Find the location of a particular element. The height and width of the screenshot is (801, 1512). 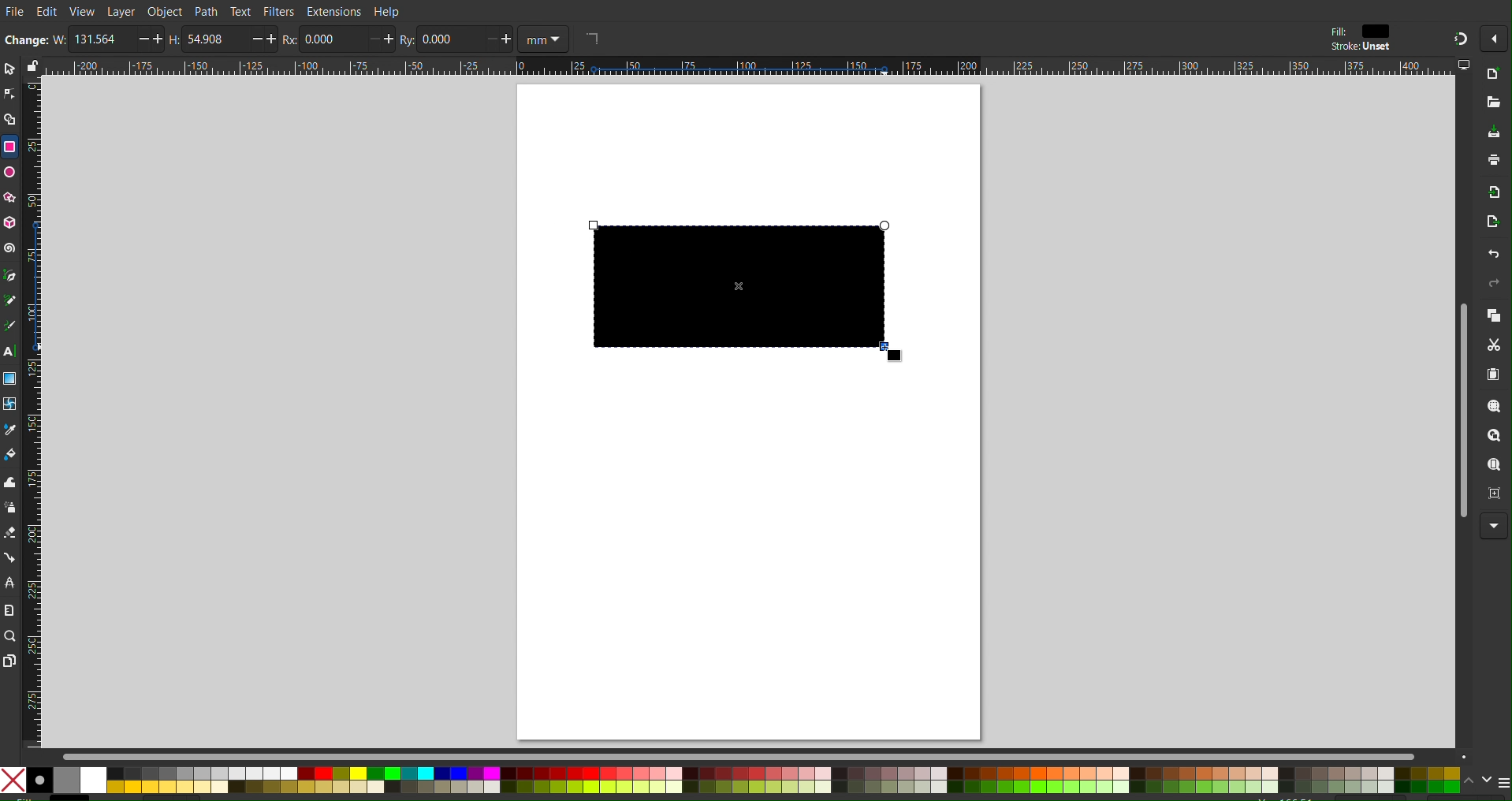

Line Color is located at coordinates (9, 430).